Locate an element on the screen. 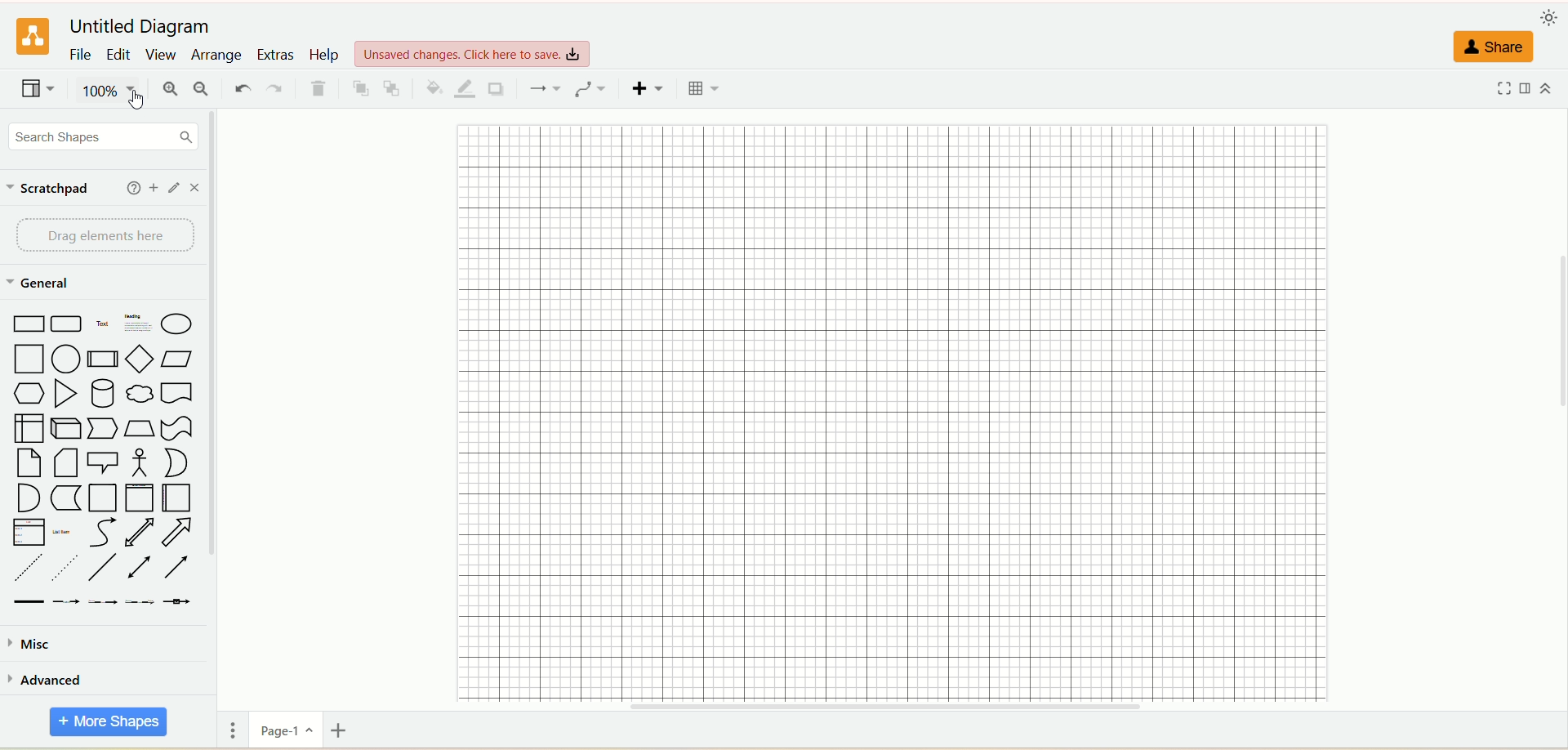  Unsaved changes. Click here to save. gy is located at coordinates (474, 52).